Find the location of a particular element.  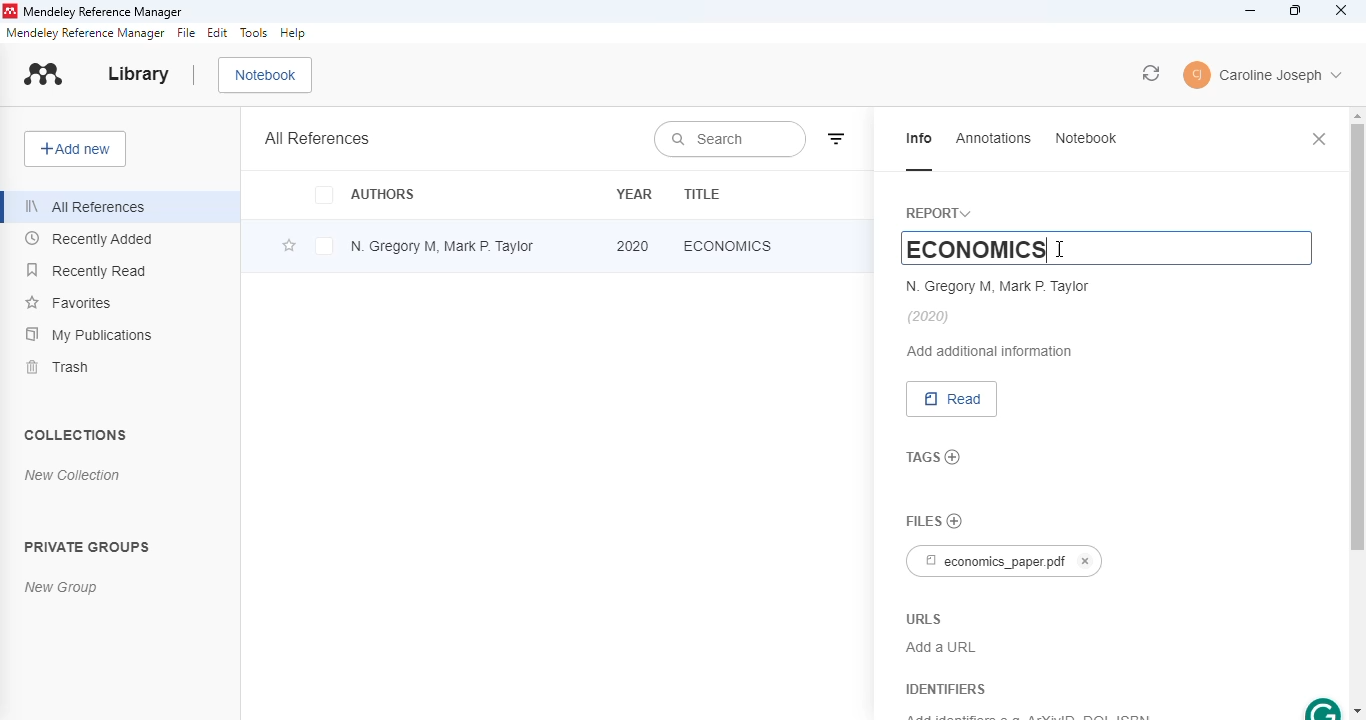

new group is located at coordinates (61, 586).